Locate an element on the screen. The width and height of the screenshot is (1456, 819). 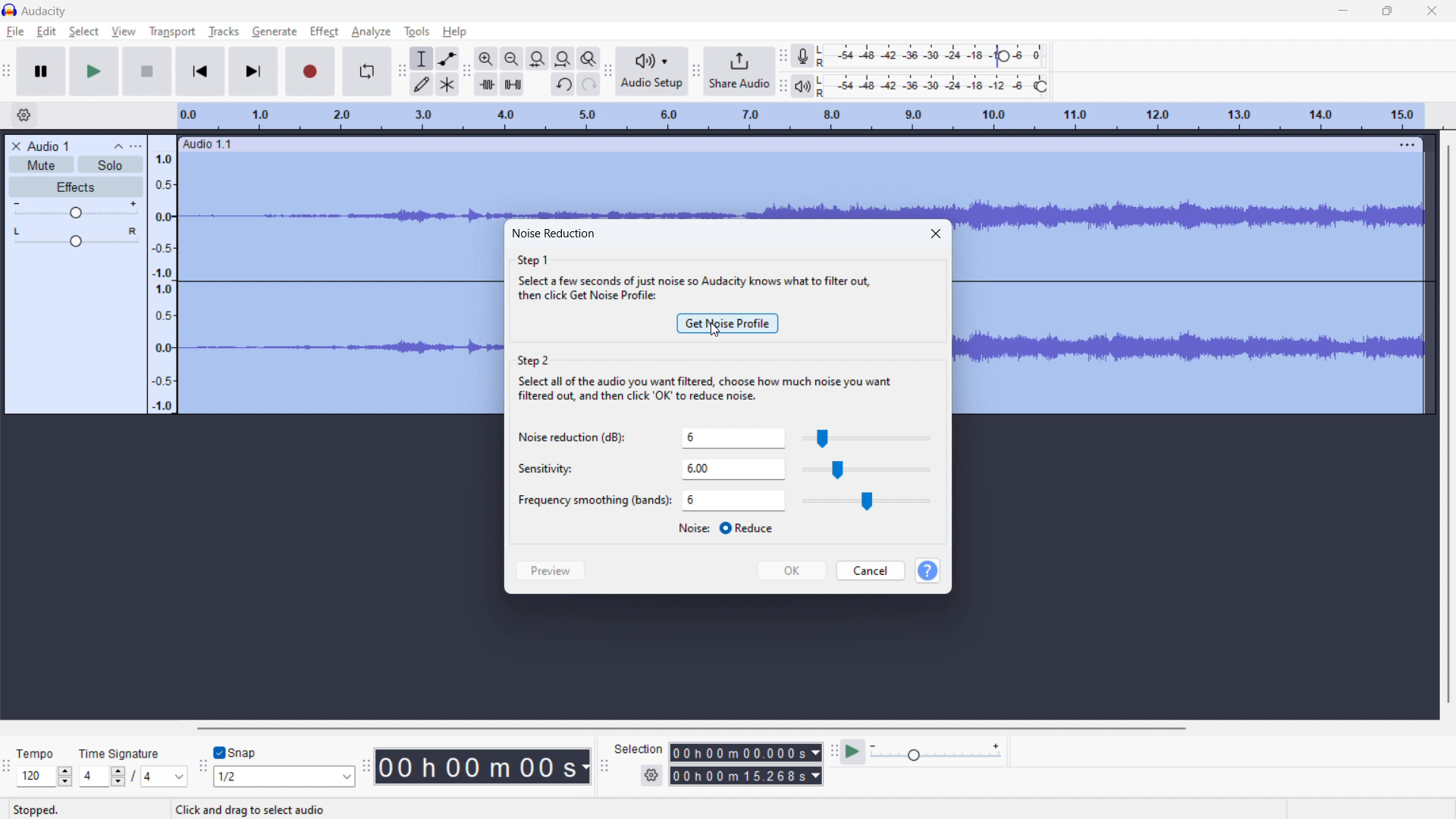
ok is located at coordinates (791, 570).